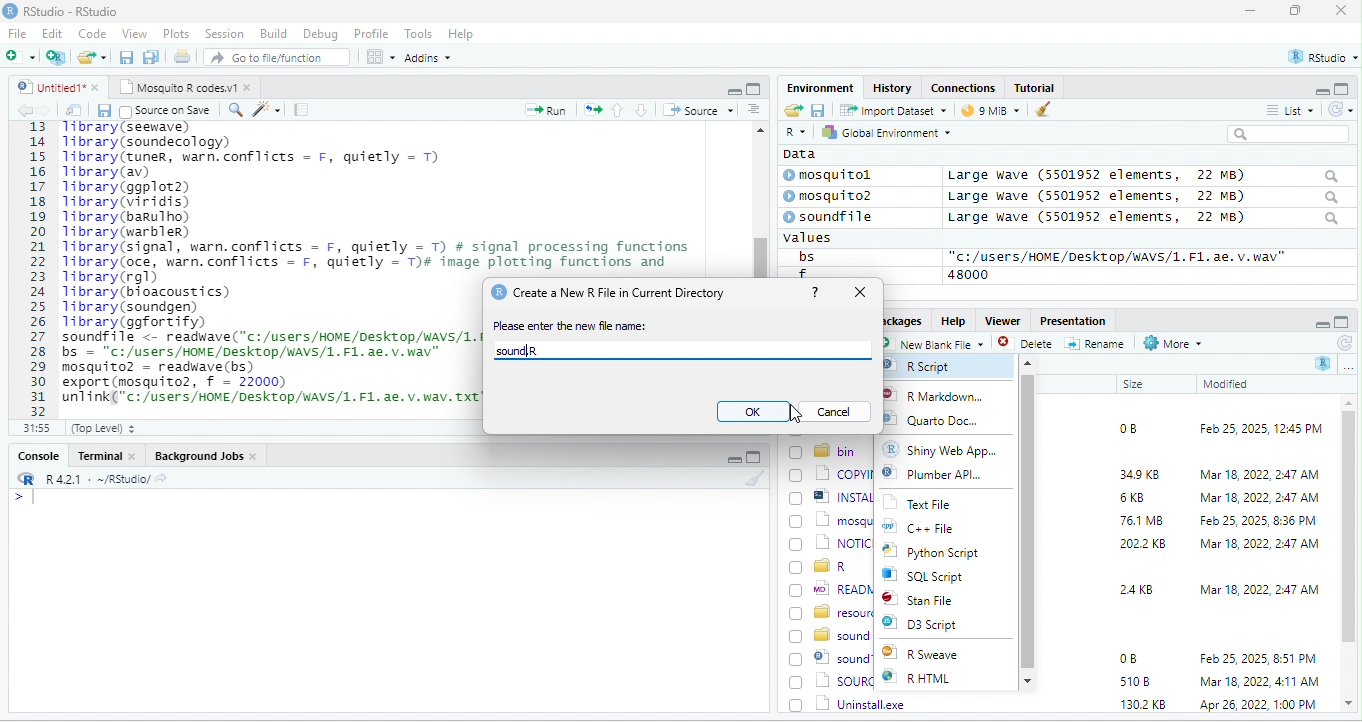 The height and width of the screenshot is (722, 1362). I want to click on Quarto Doc..., so click(948, 422).